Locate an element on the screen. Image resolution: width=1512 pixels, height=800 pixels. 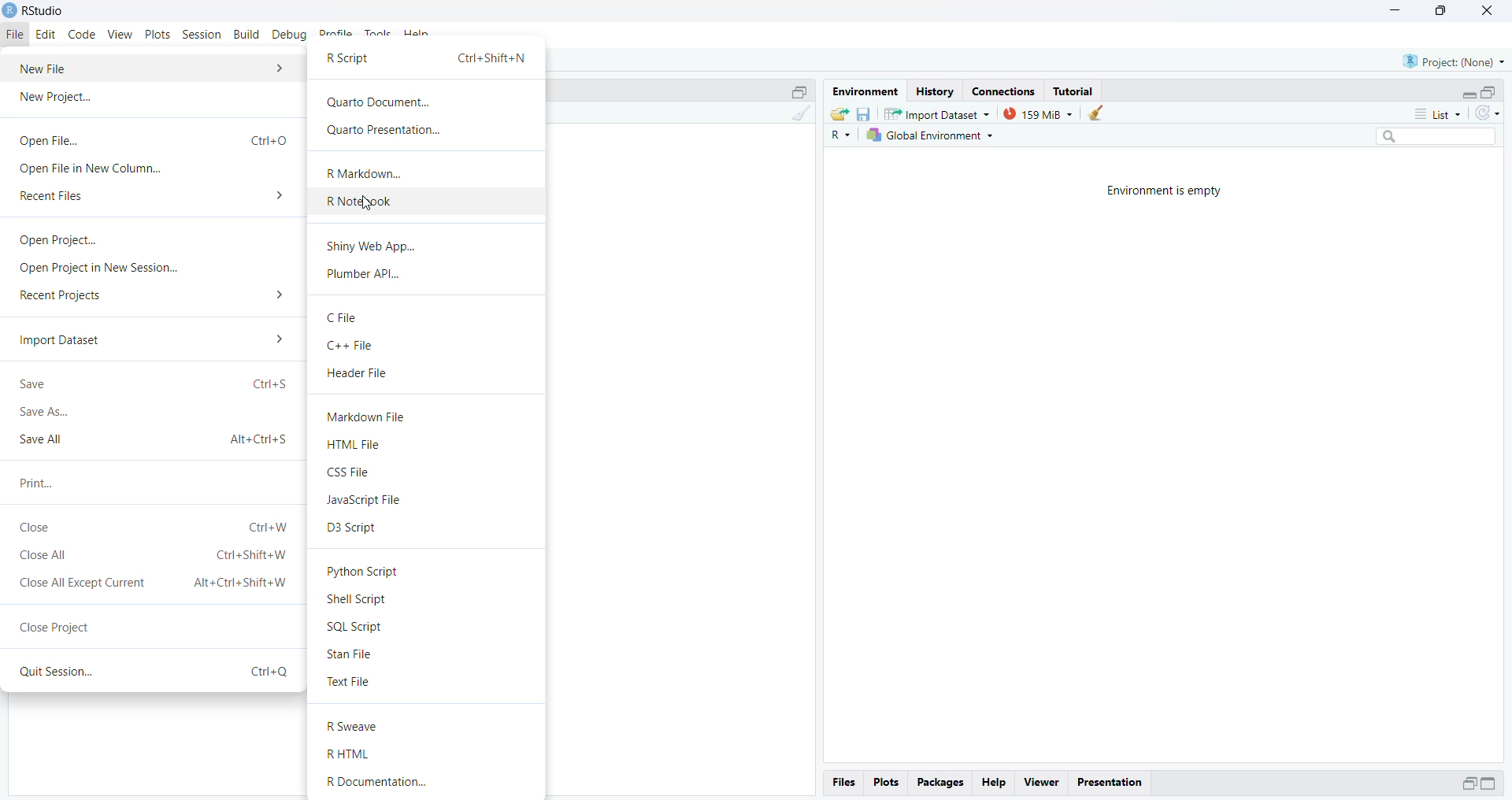
profile is located at coordinates (337, 35).